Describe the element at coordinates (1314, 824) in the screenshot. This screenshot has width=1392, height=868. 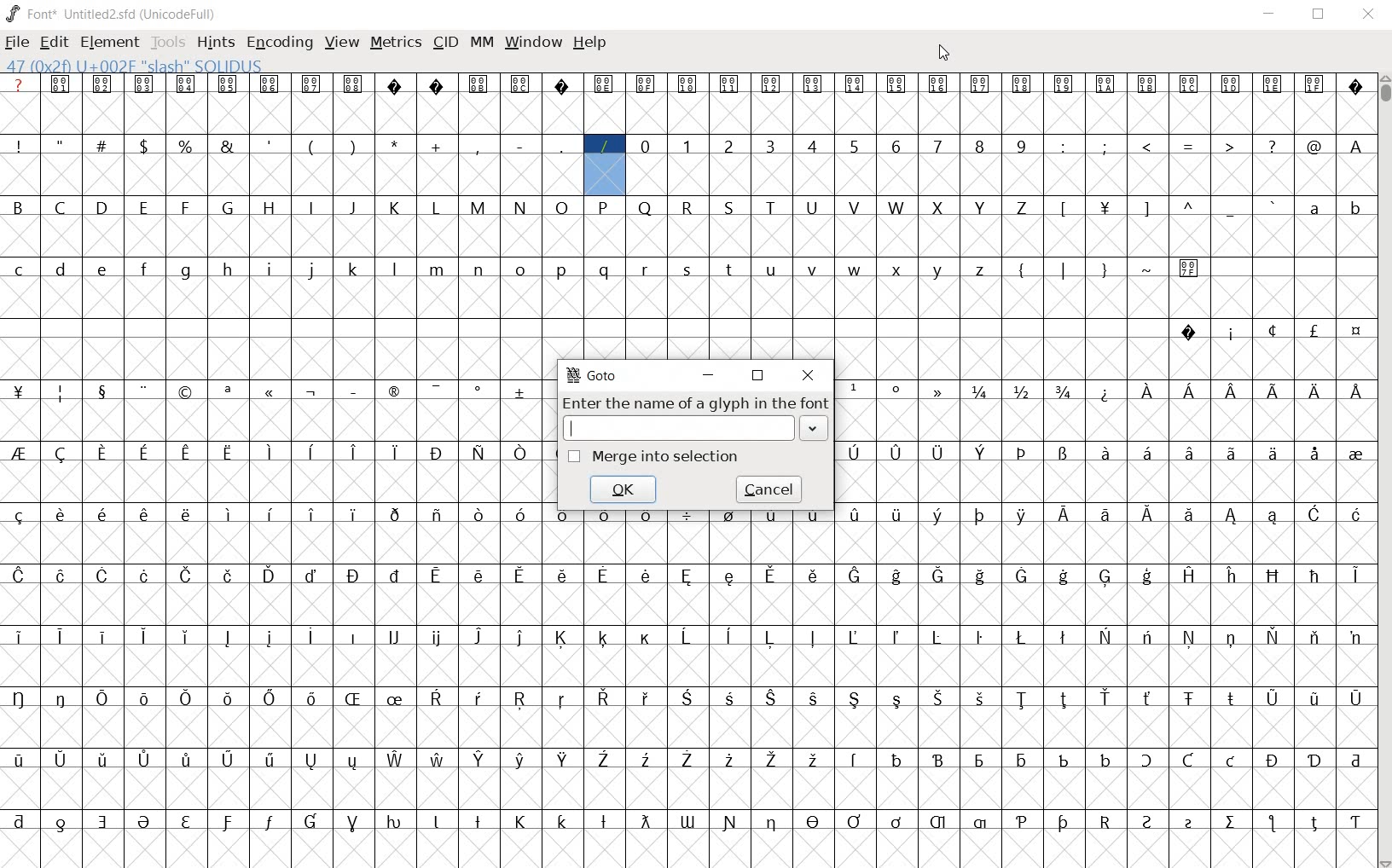
I see `glyph` at that location.